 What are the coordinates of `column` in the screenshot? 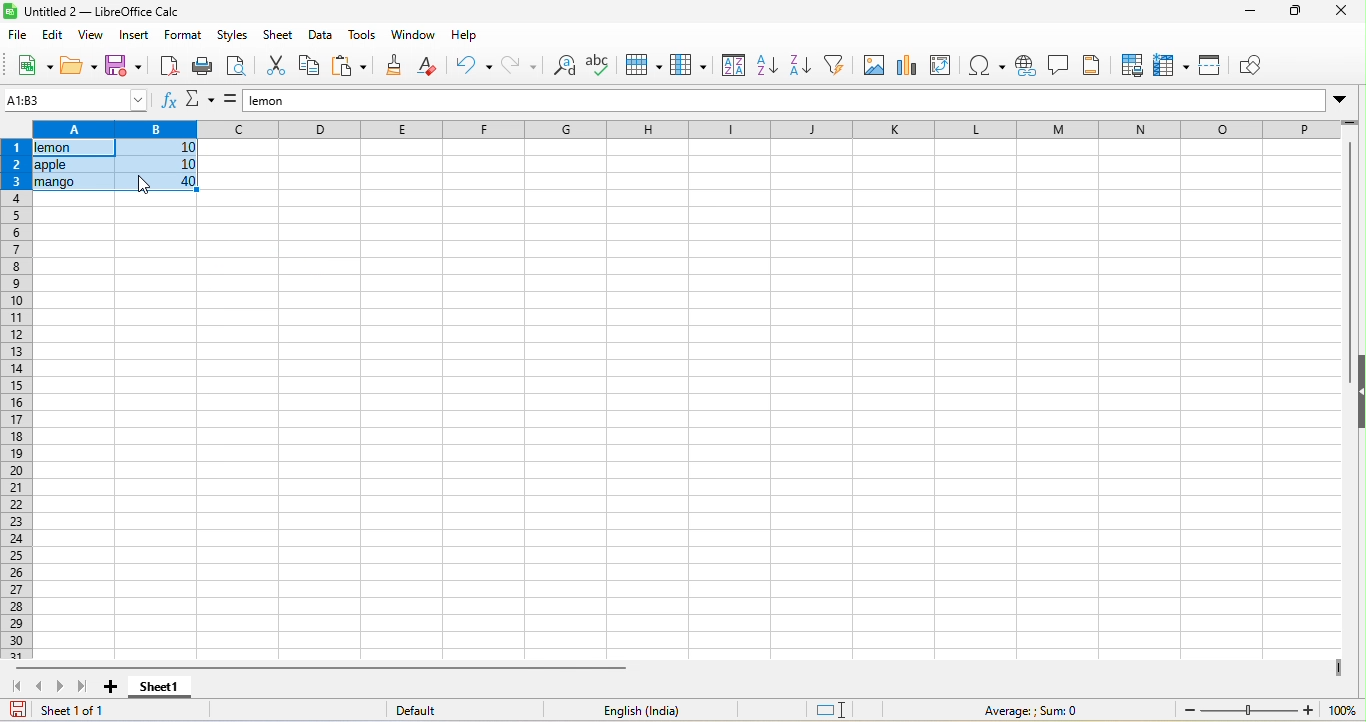 It's located at (689, 66).